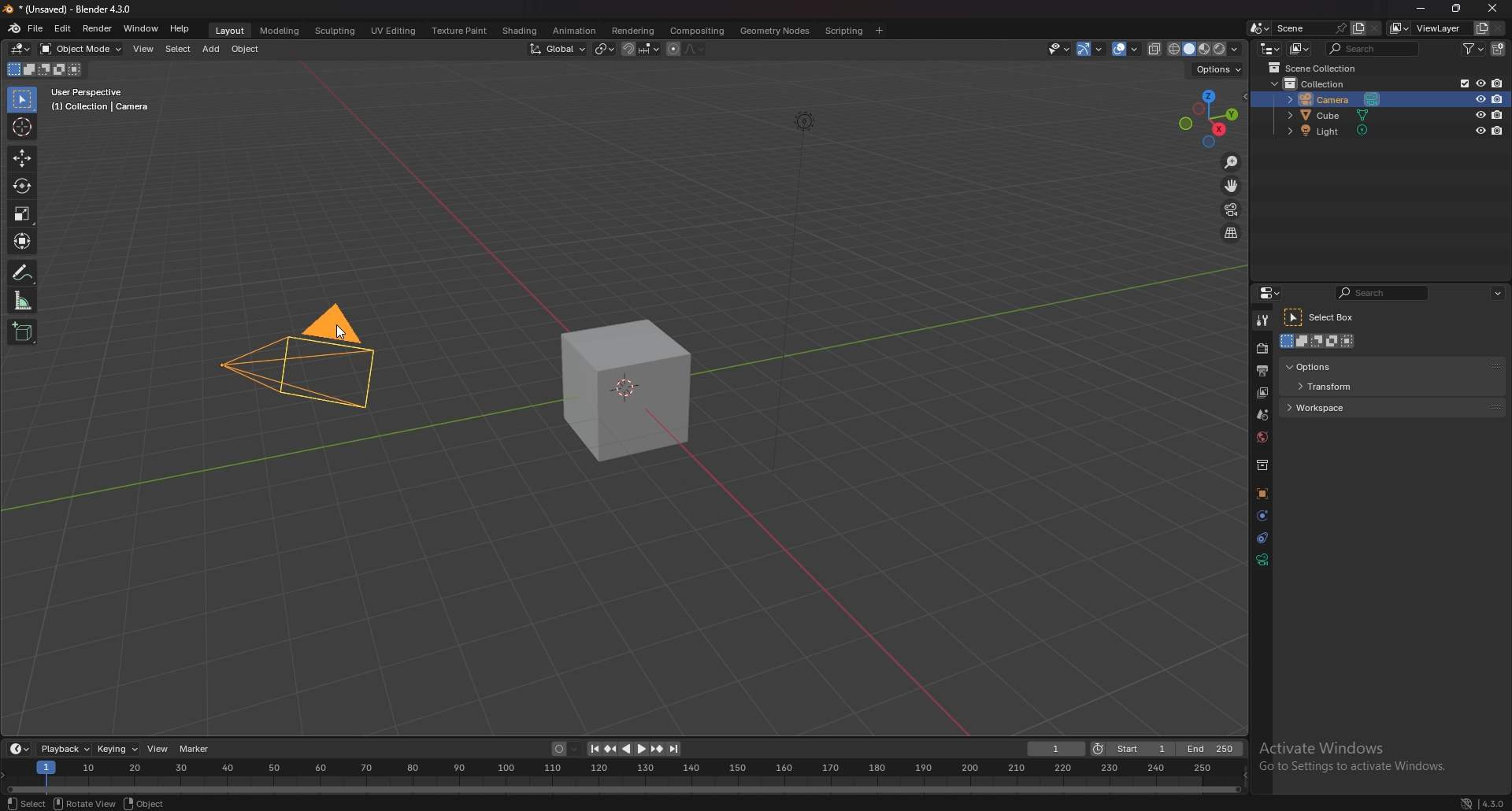 This screenshot has height=811, width=1512. Describe the element at coordinates (1458, 83) in the screenshot. I see `exclude from viewlayer` at that location.